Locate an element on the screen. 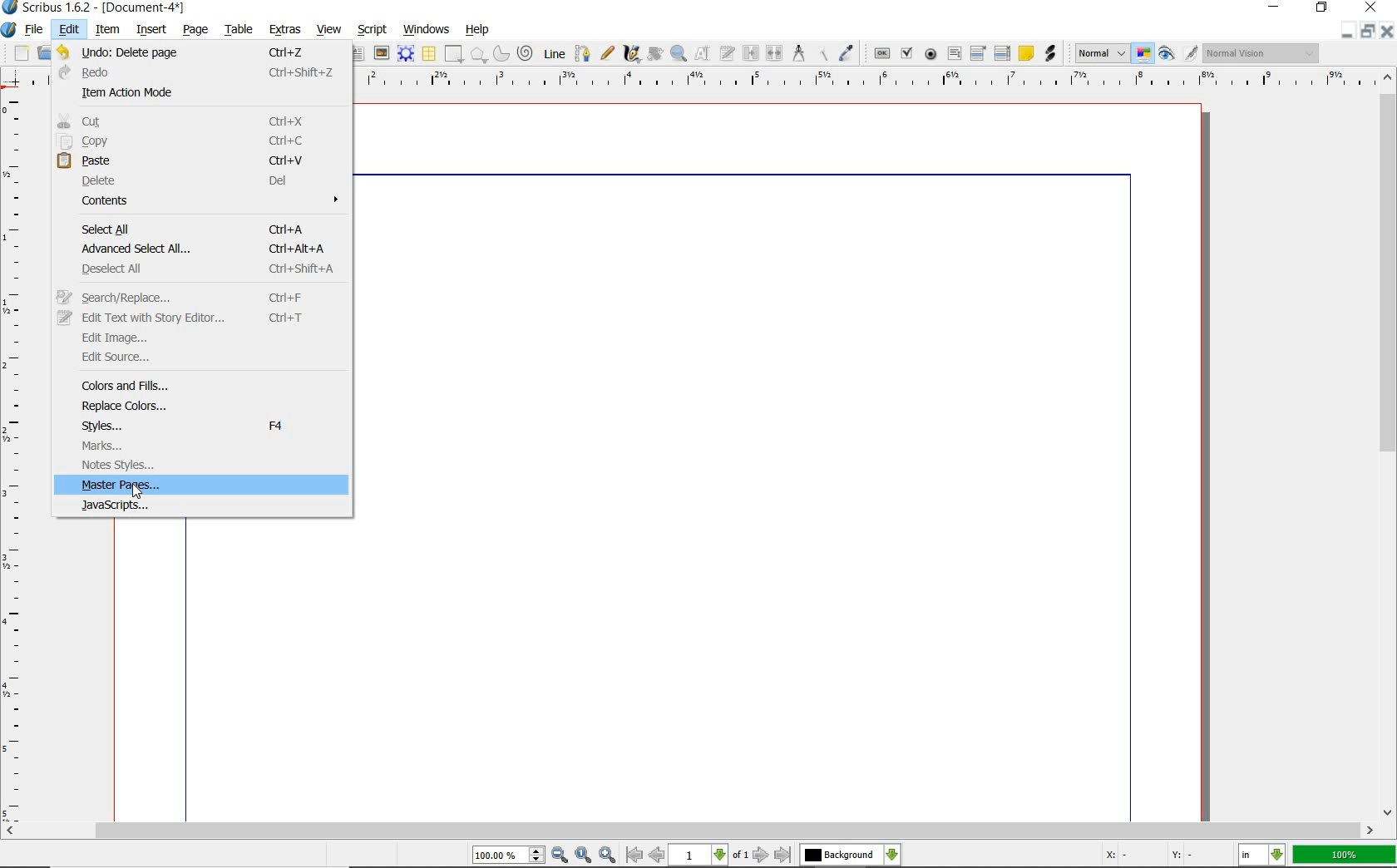  of 1 is located at coordinates (740, 856).